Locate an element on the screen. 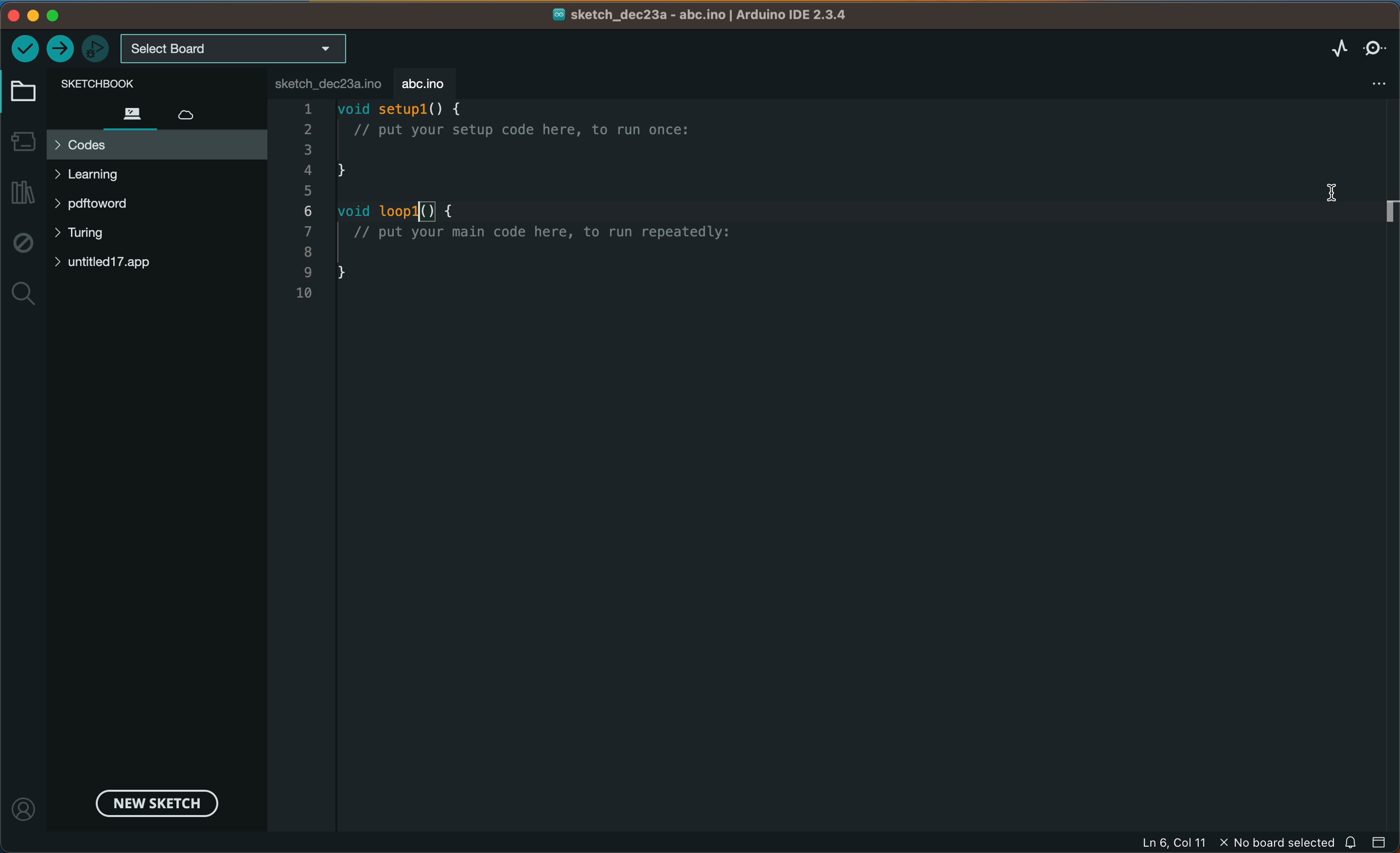  search is located at coordinates (24, 292).